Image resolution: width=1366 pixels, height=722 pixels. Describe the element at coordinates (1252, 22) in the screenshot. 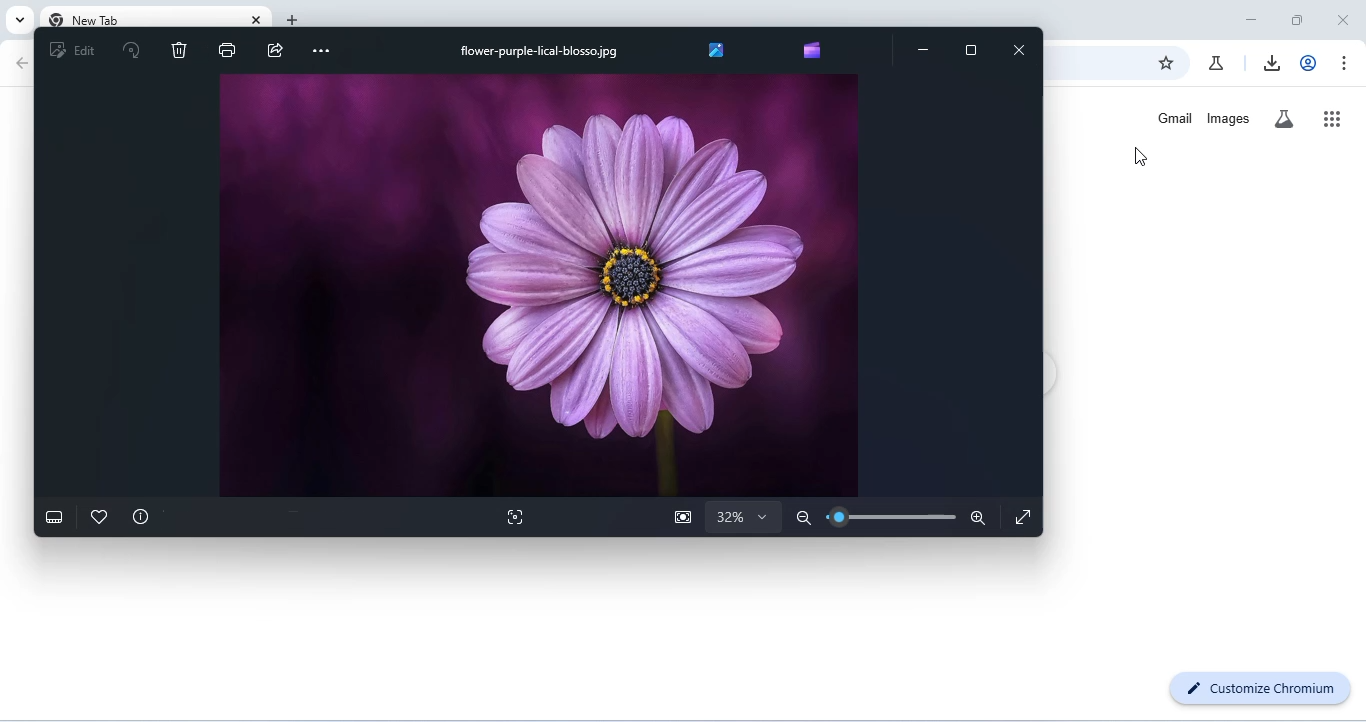

I see `minimize` at that location.